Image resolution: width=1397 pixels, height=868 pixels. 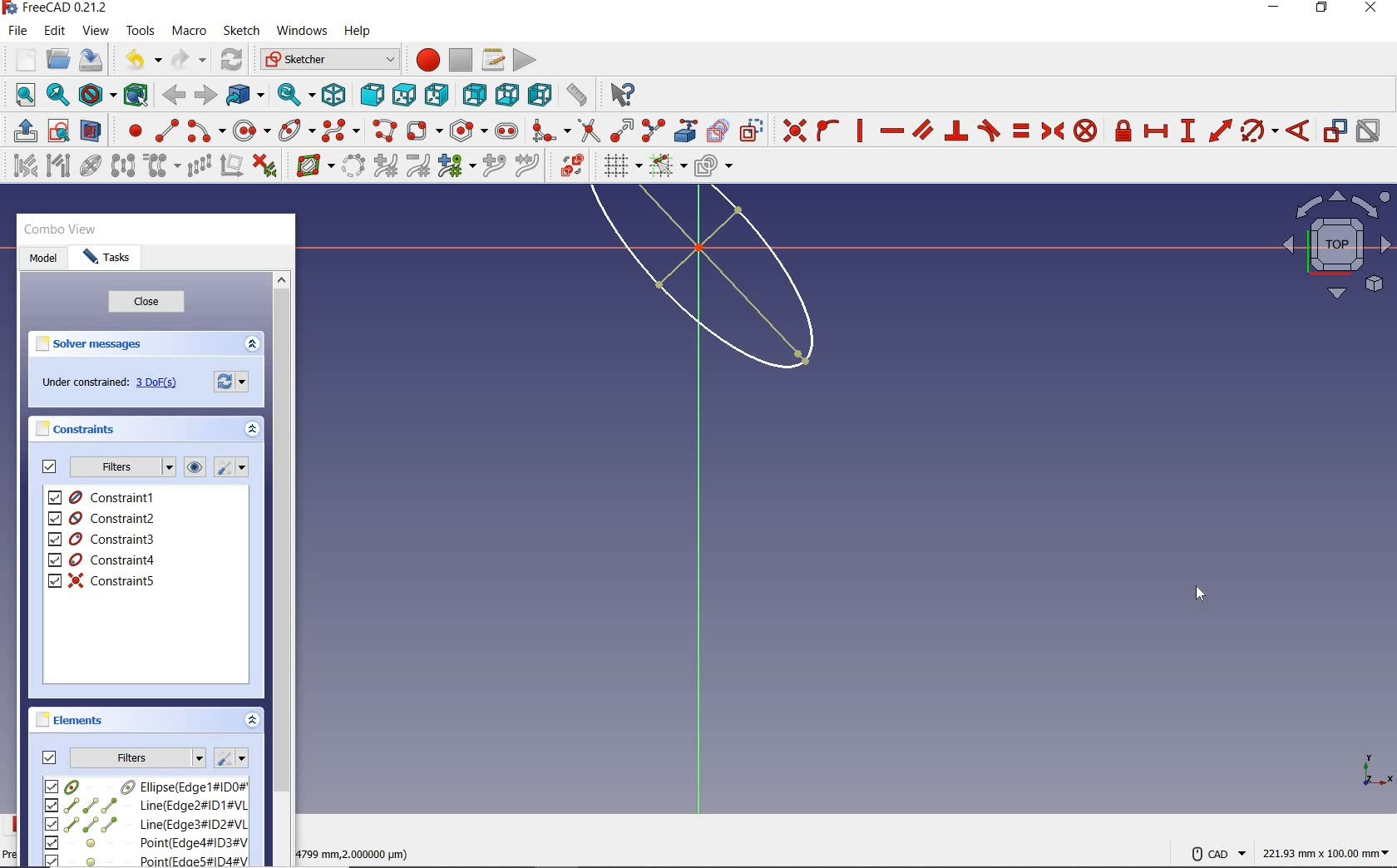 I want to click on what's this?, so click(x=620, y=91).